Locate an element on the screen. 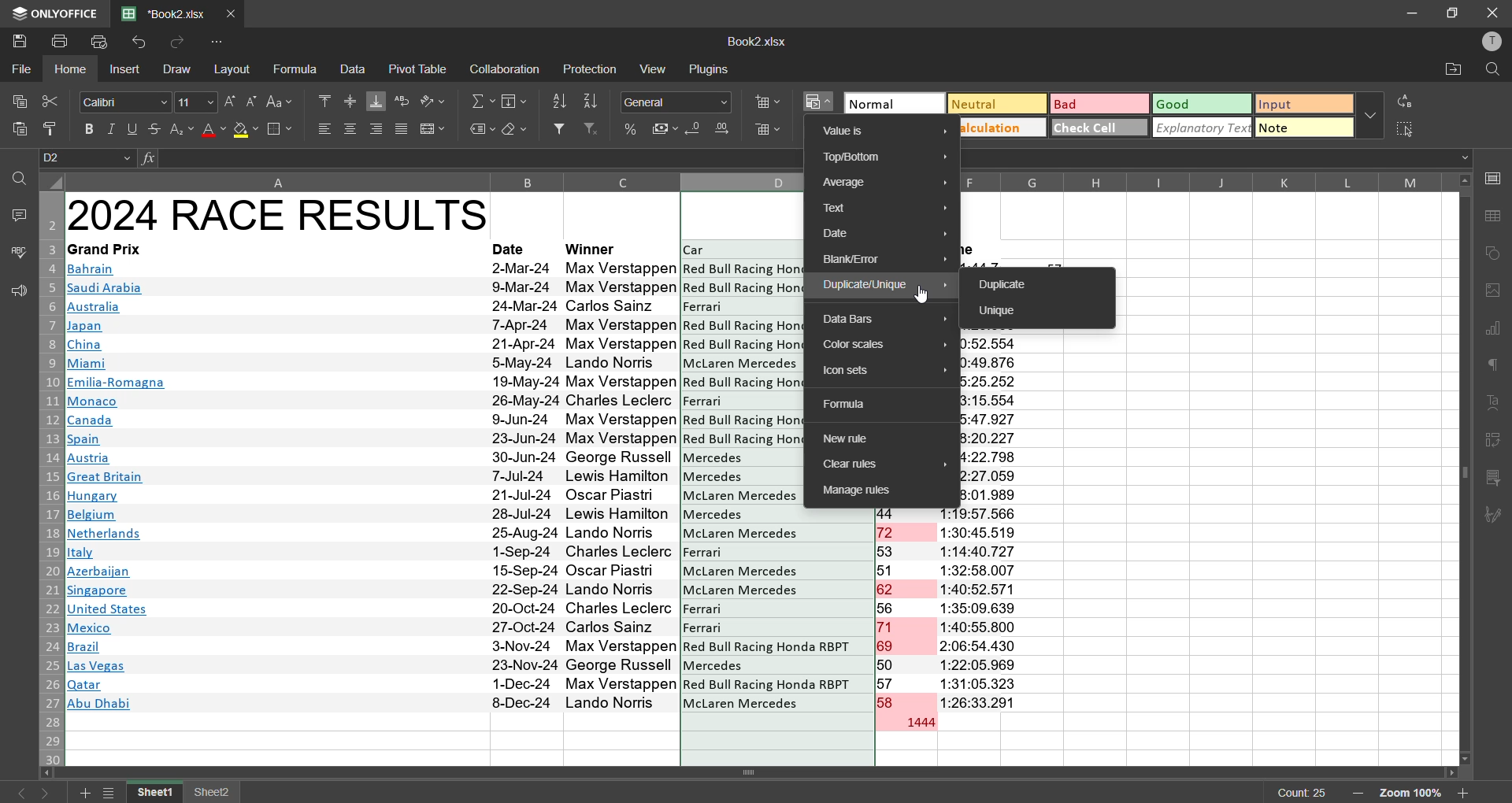 The height and width of the screenshot is (803, 1512). unique is located at coordinates (1003, 312).